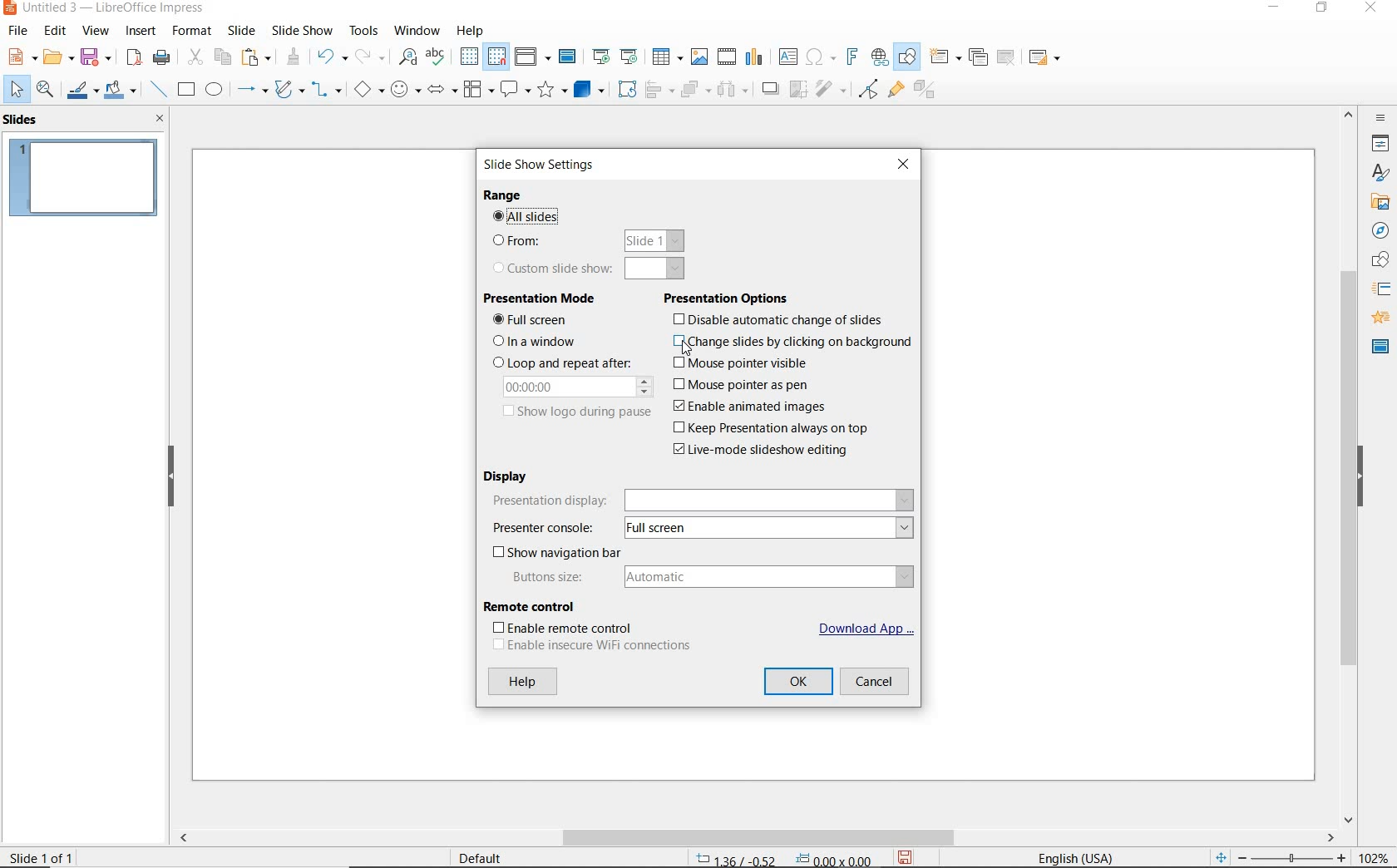 This screenshot has height=868, width=1397. What do you see at coordinates (689, 350) in the screenshot?
I see `CURSOR` at bounding box center [689, 350].